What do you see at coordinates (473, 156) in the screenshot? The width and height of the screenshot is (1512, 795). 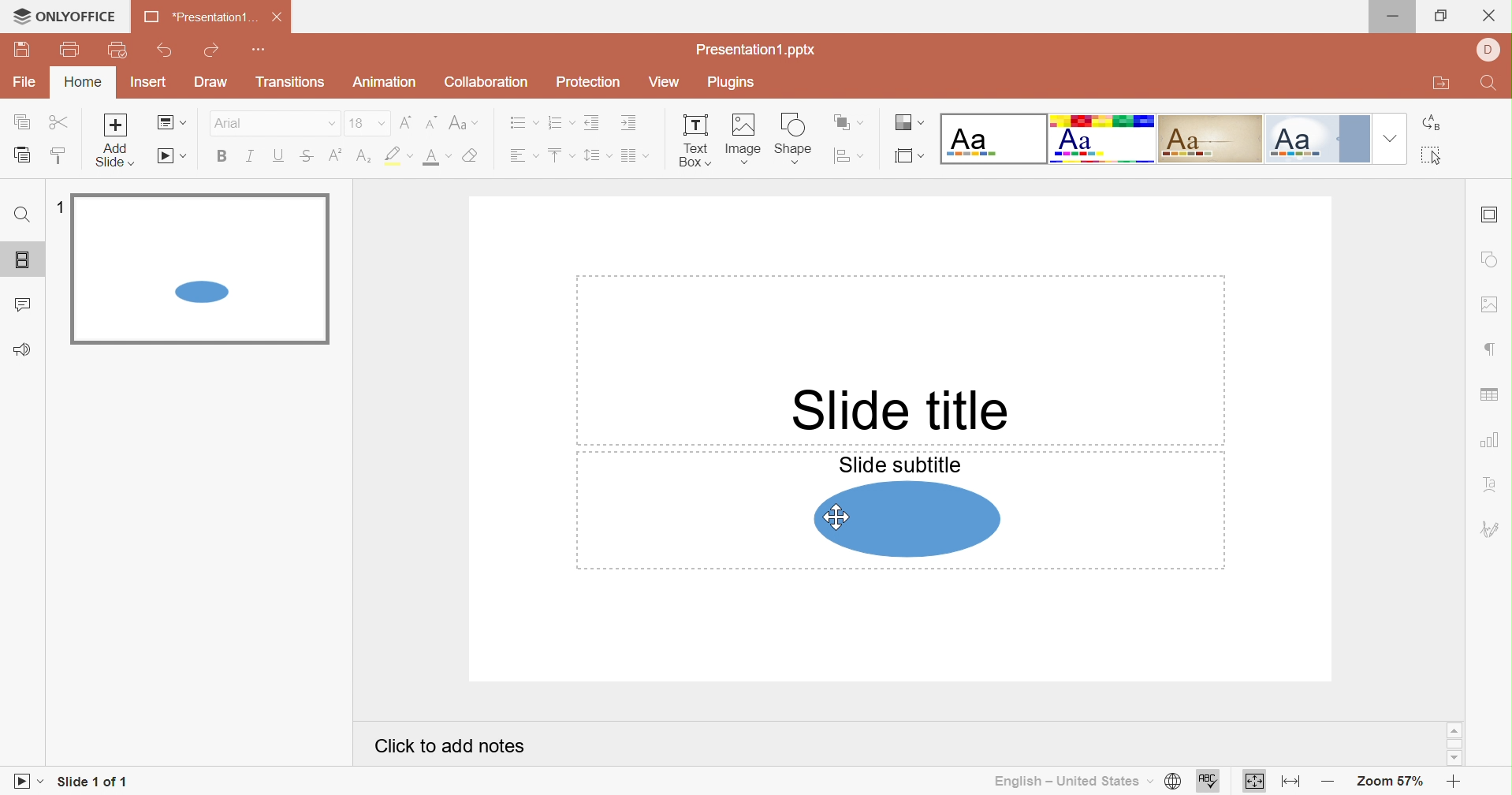 I see `Clear style` at bounding box center [473, 156].